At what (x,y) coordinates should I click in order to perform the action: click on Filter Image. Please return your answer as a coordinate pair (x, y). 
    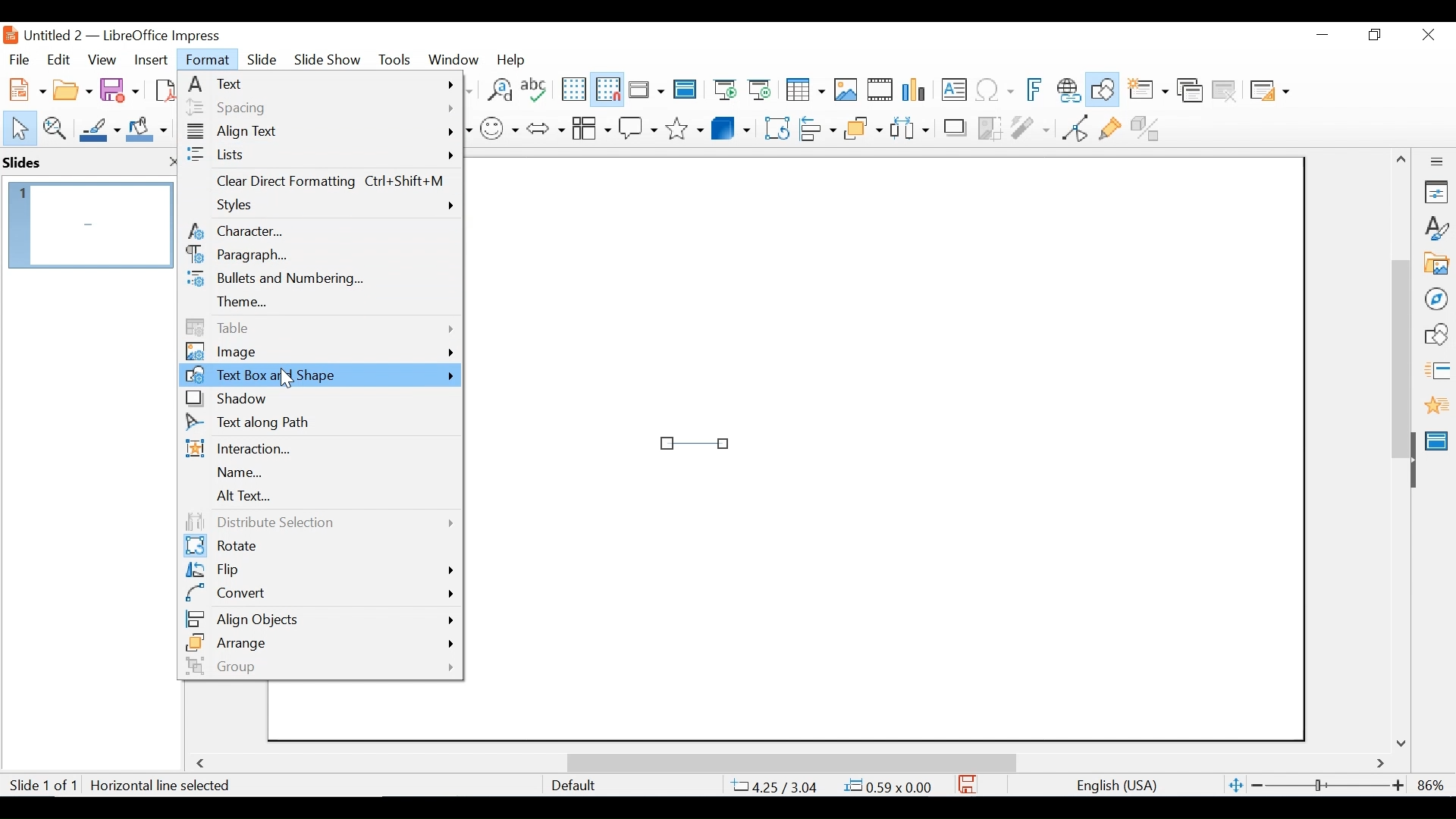
    Looking at the image, I should click on (1030, 127).